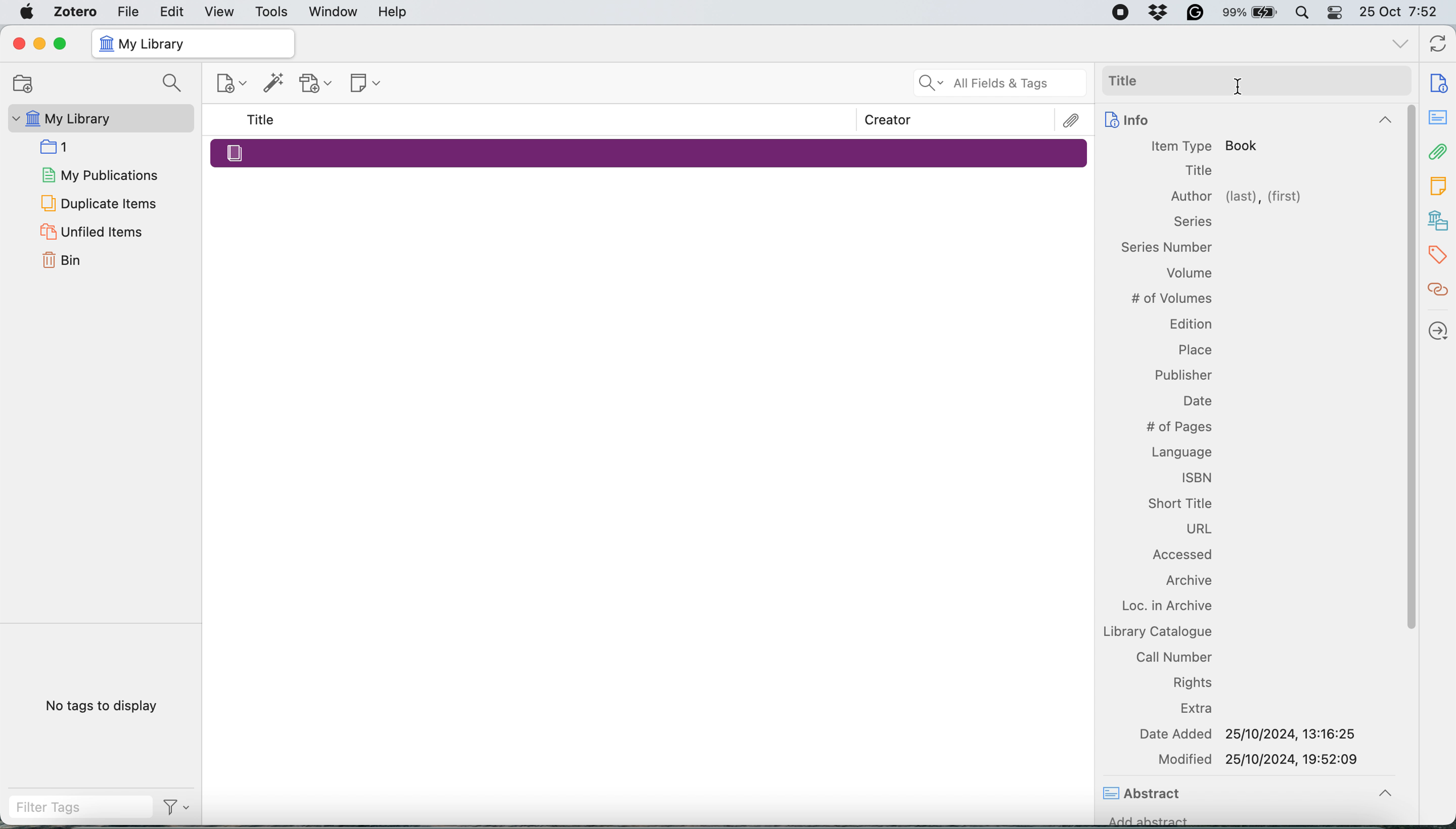 The height and width of the screenshot is (829, 1456). What do you see at coordinates (76, 258) in the screenshot?
I see `Bin` at bounding box center [76, 258].